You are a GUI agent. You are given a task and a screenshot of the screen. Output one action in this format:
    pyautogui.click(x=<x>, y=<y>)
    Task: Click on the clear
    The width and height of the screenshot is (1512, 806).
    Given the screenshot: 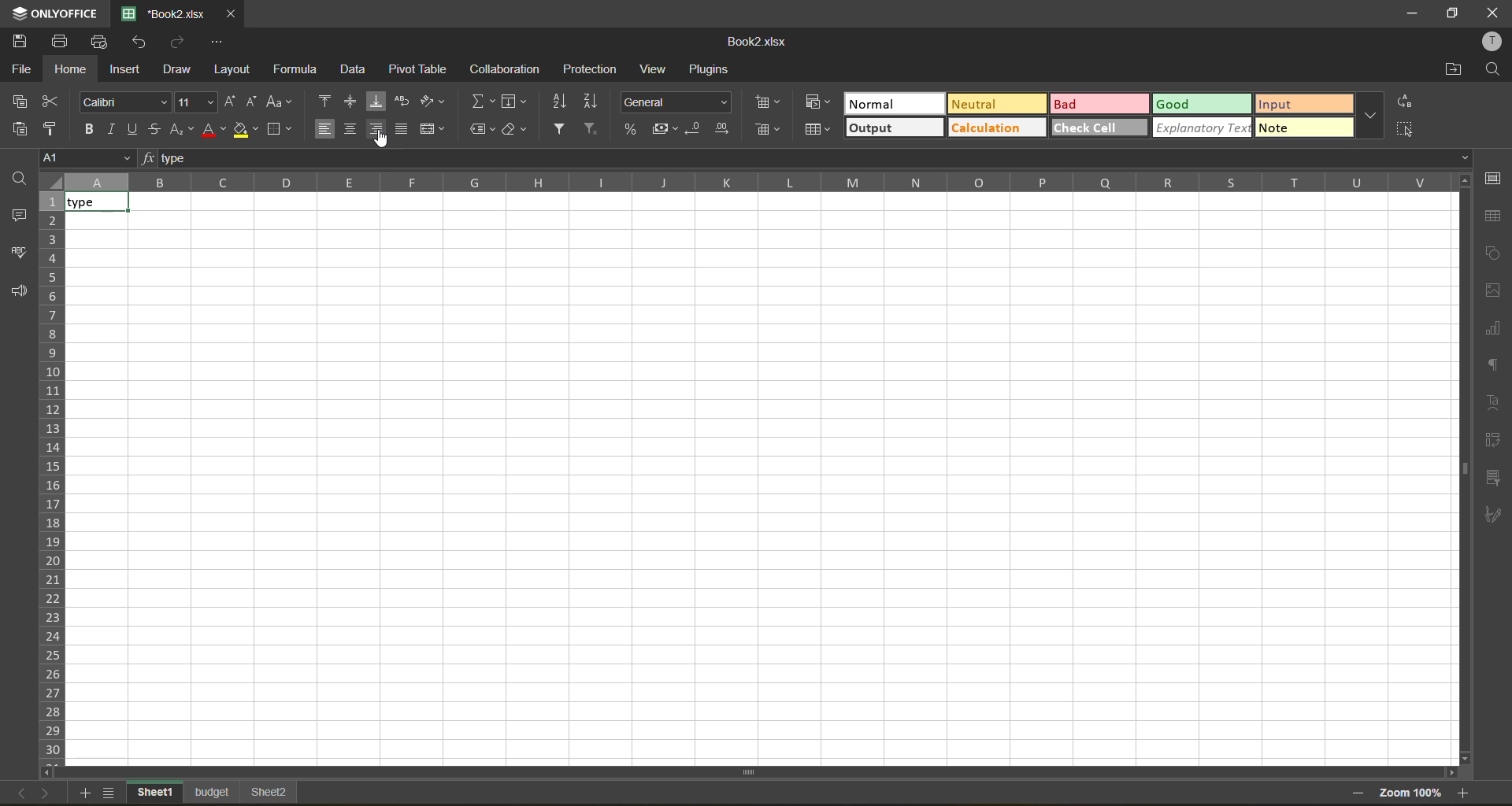 What is the action you would take?
    pyautogui.click(x=513, y=131)
    